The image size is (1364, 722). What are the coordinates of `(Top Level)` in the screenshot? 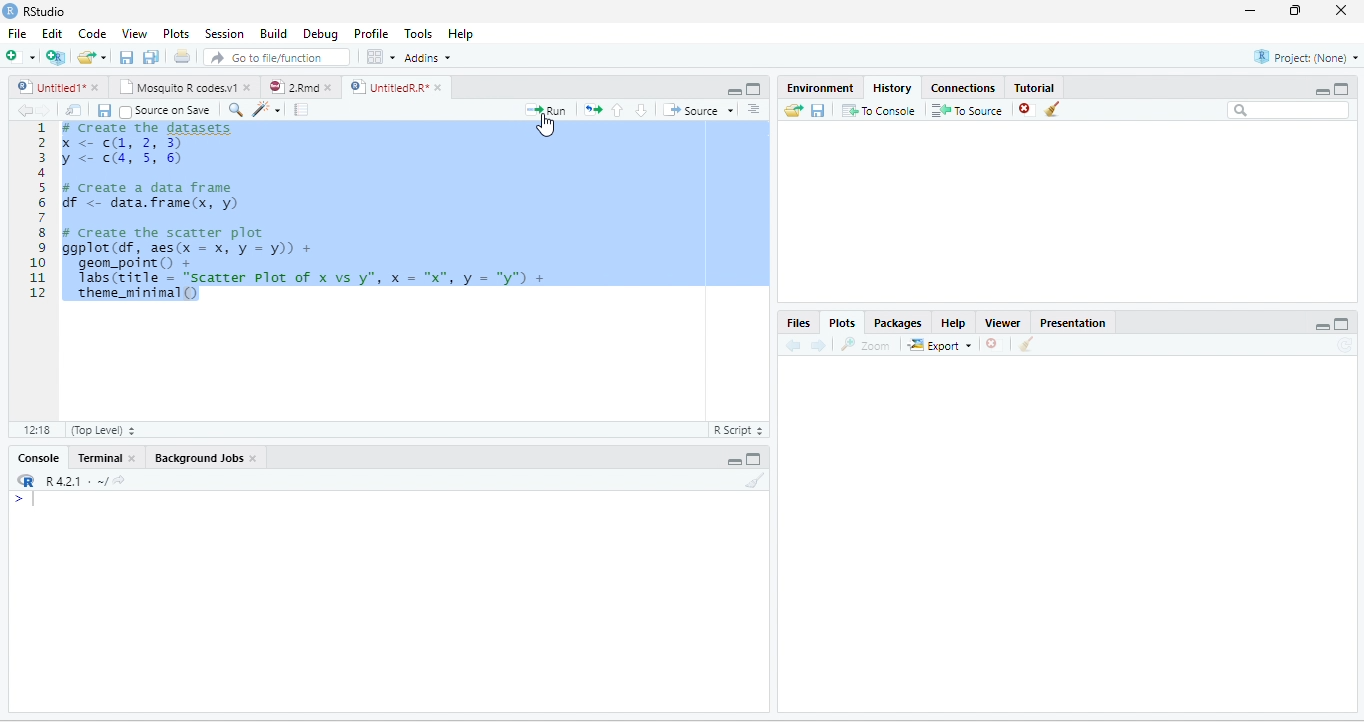 It's located at (101, 429).